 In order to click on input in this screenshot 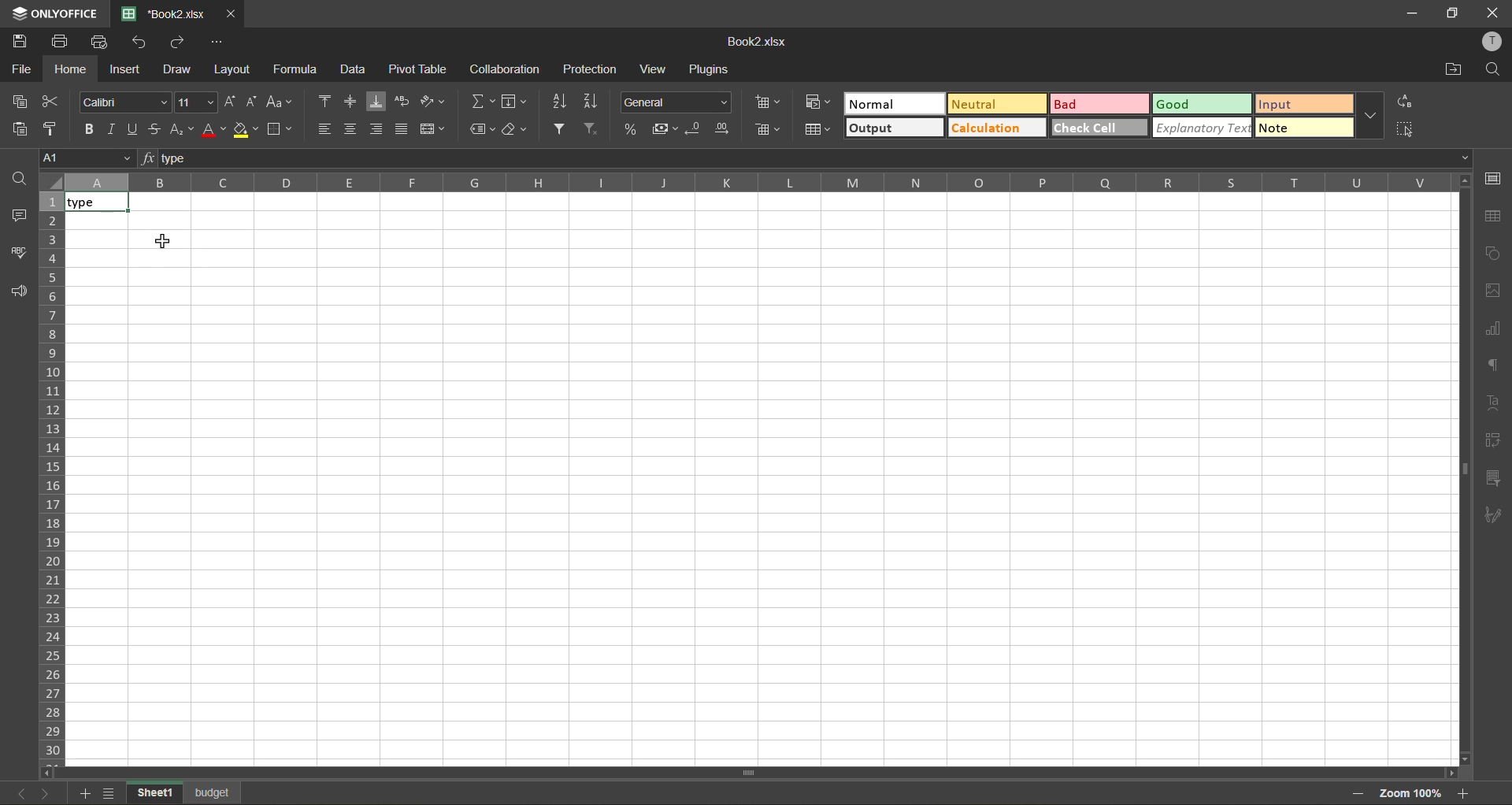, I will do `click(1304, 103)`.